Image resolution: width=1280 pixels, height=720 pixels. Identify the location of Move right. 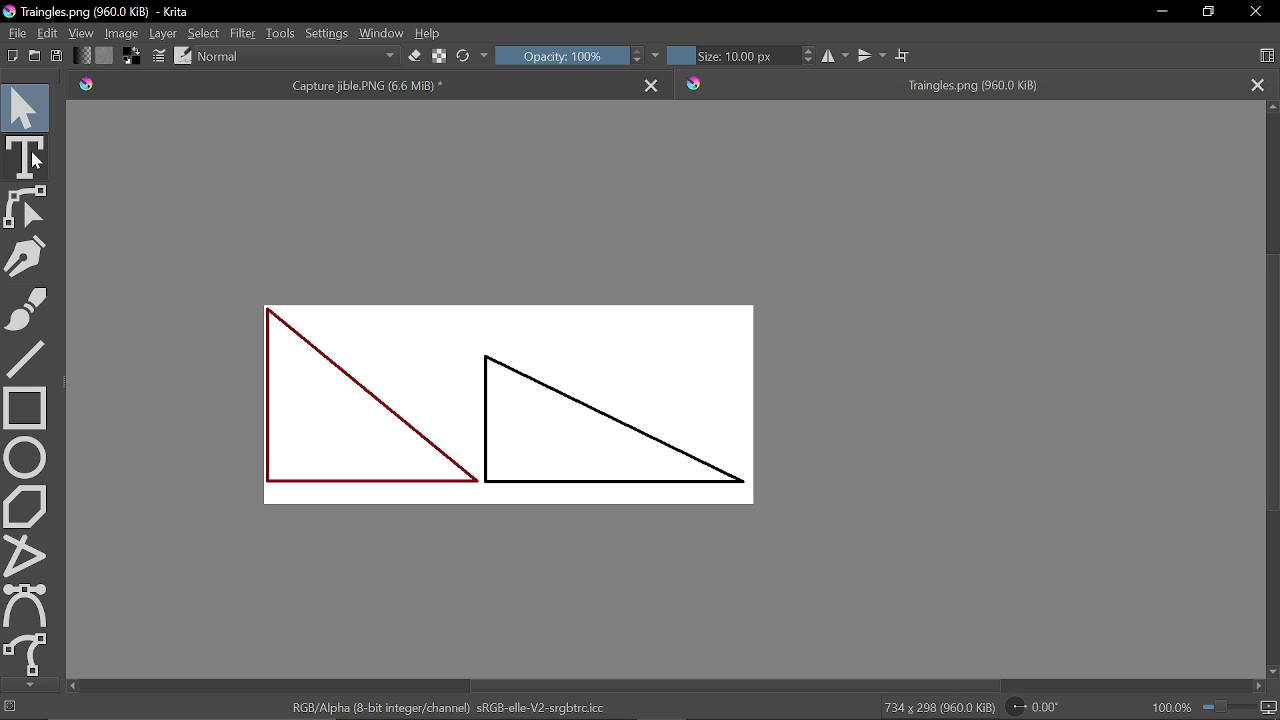
(1256, 687).